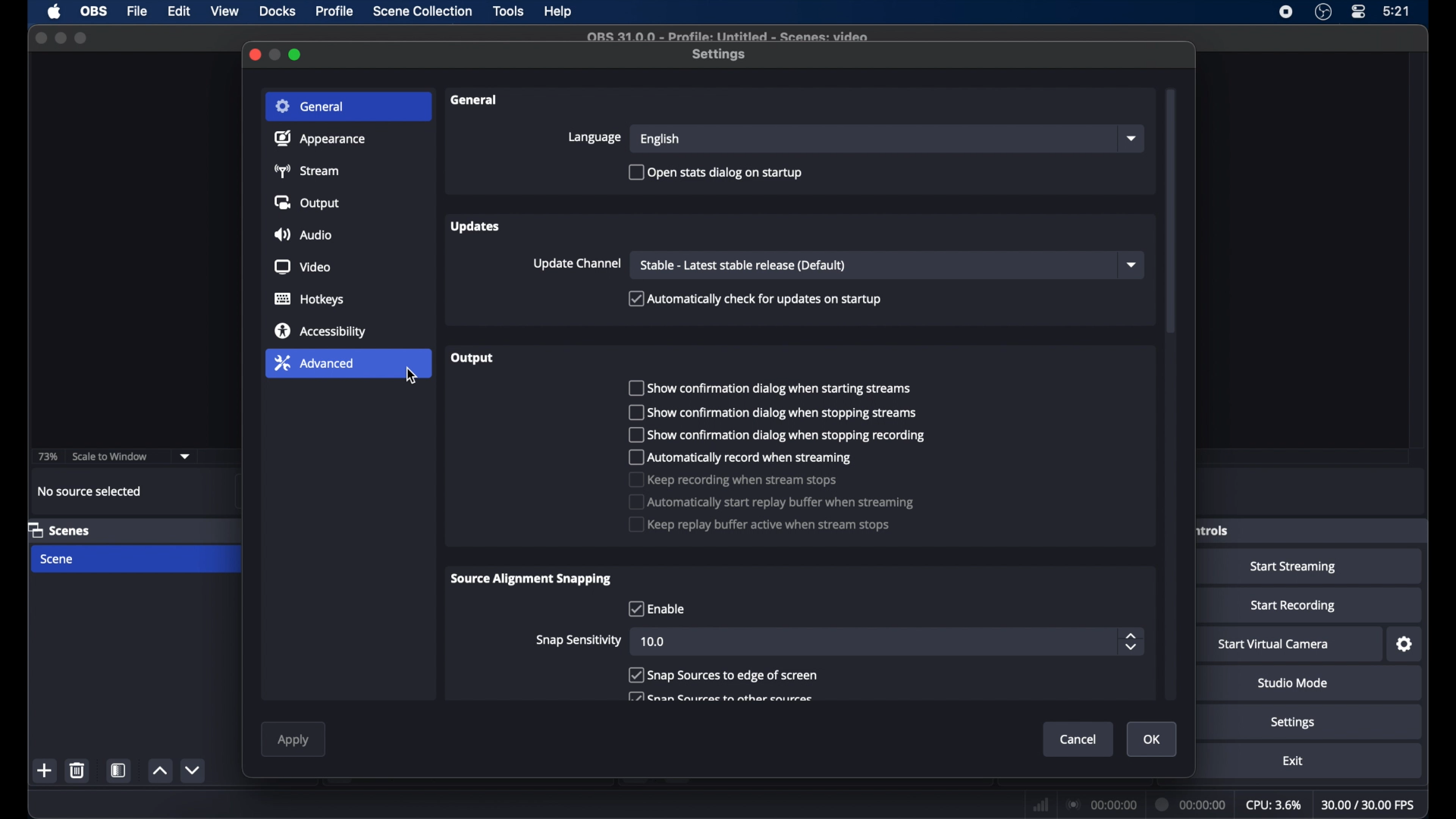 The height and width of the screenshot is (819, 1456). What do you see at coordinates (61, 531) in the screenshot?
I see `scenes` at bounding box center [61, 531].